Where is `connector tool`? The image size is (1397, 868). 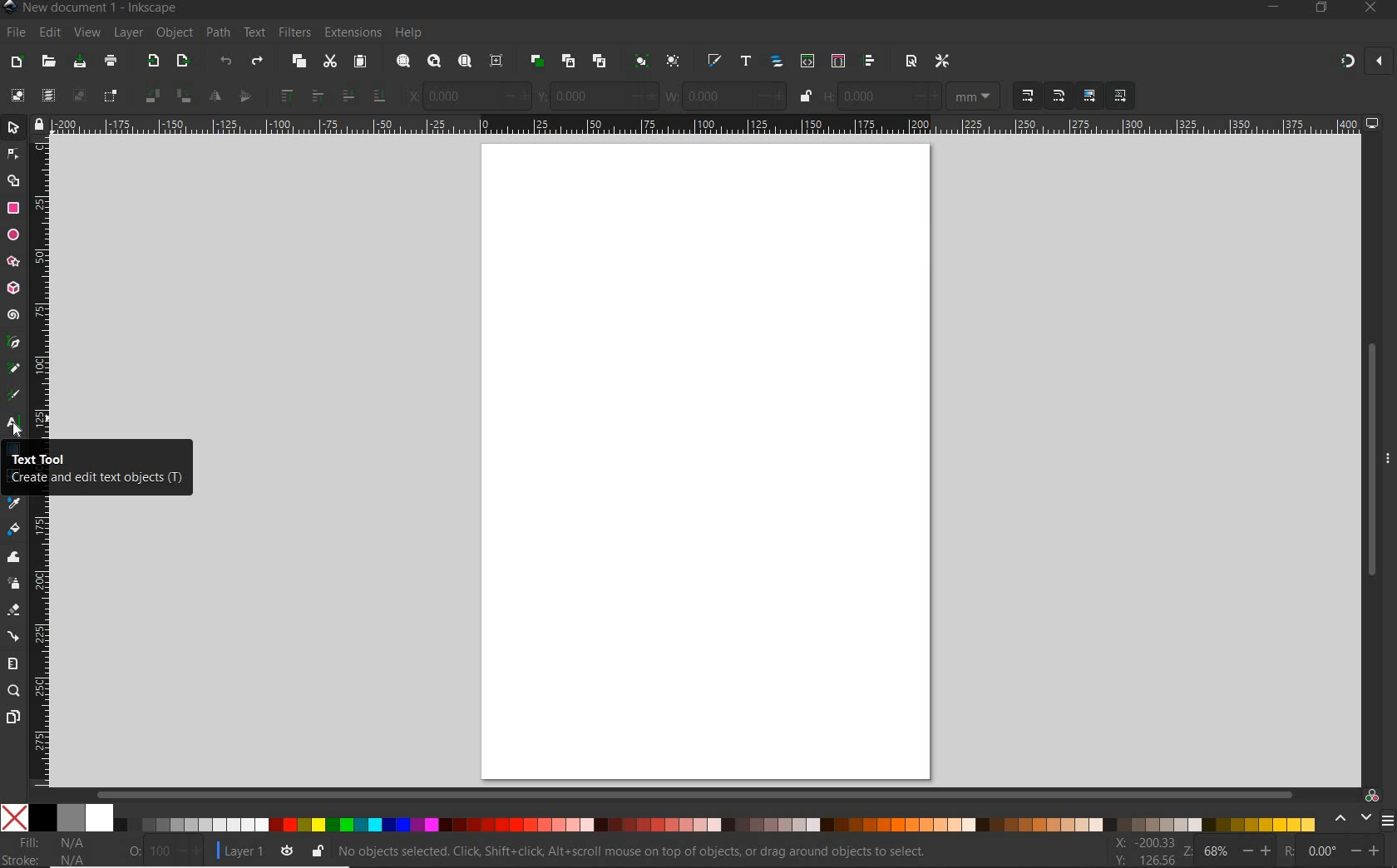 connector tool is located at coordinates (15, 638).